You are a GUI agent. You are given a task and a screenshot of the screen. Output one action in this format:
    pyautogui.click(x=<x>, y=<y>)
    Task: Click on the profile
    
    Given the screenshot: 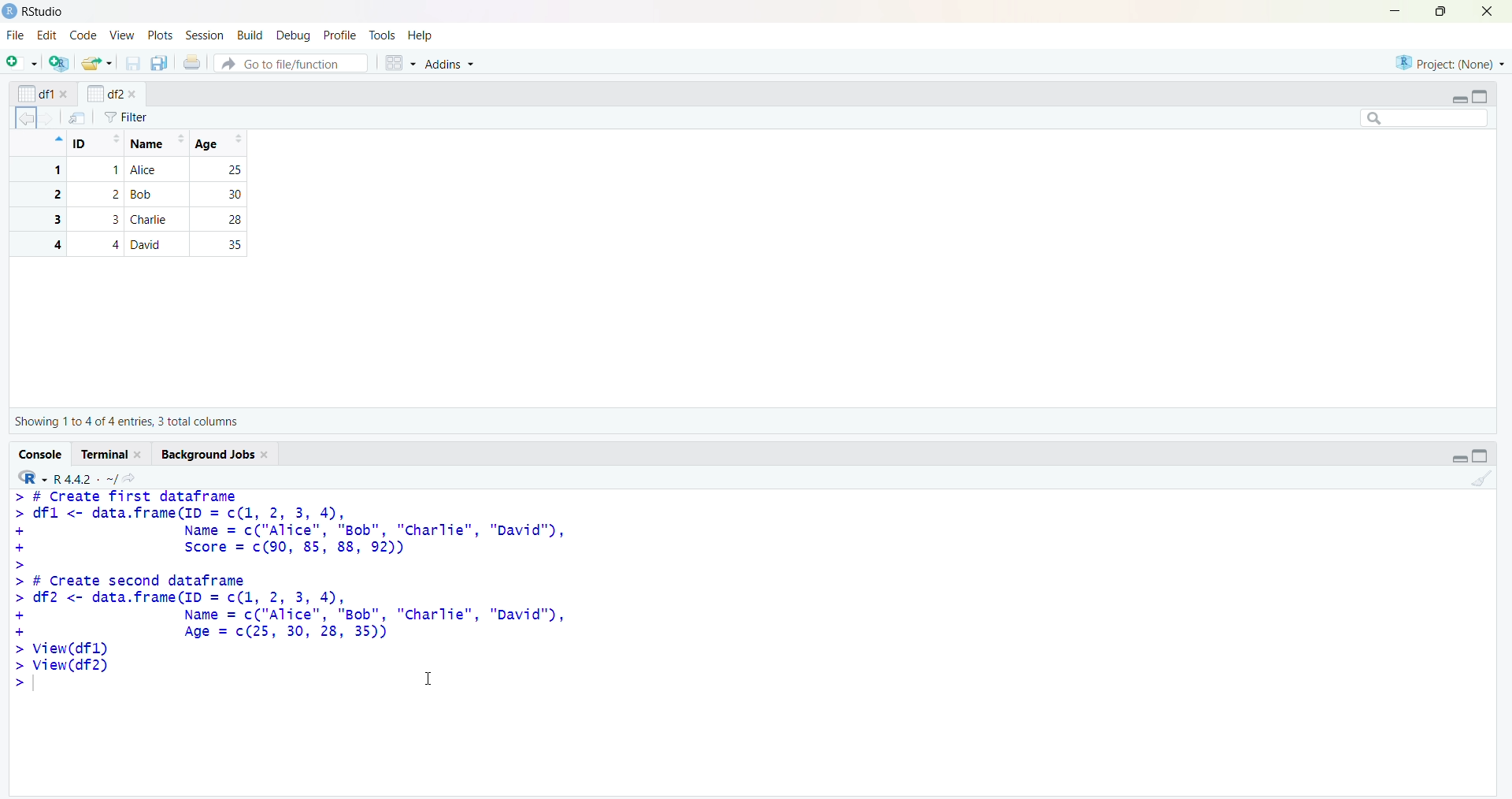 What is the action you would take?
    pyautogui.click(x=339, y=35)
    